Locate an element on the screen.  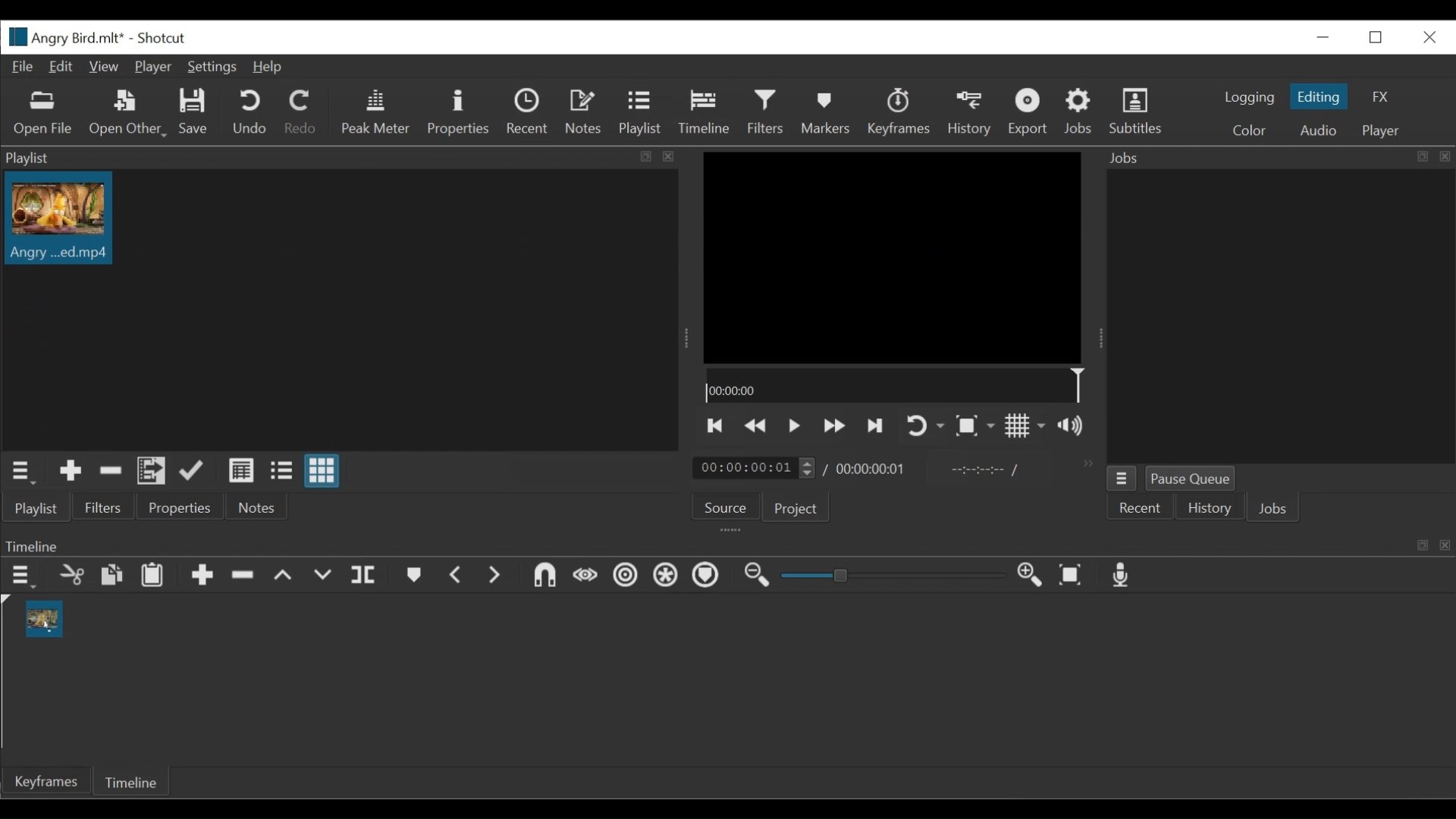
Clip is located at coordinates (58, 219).